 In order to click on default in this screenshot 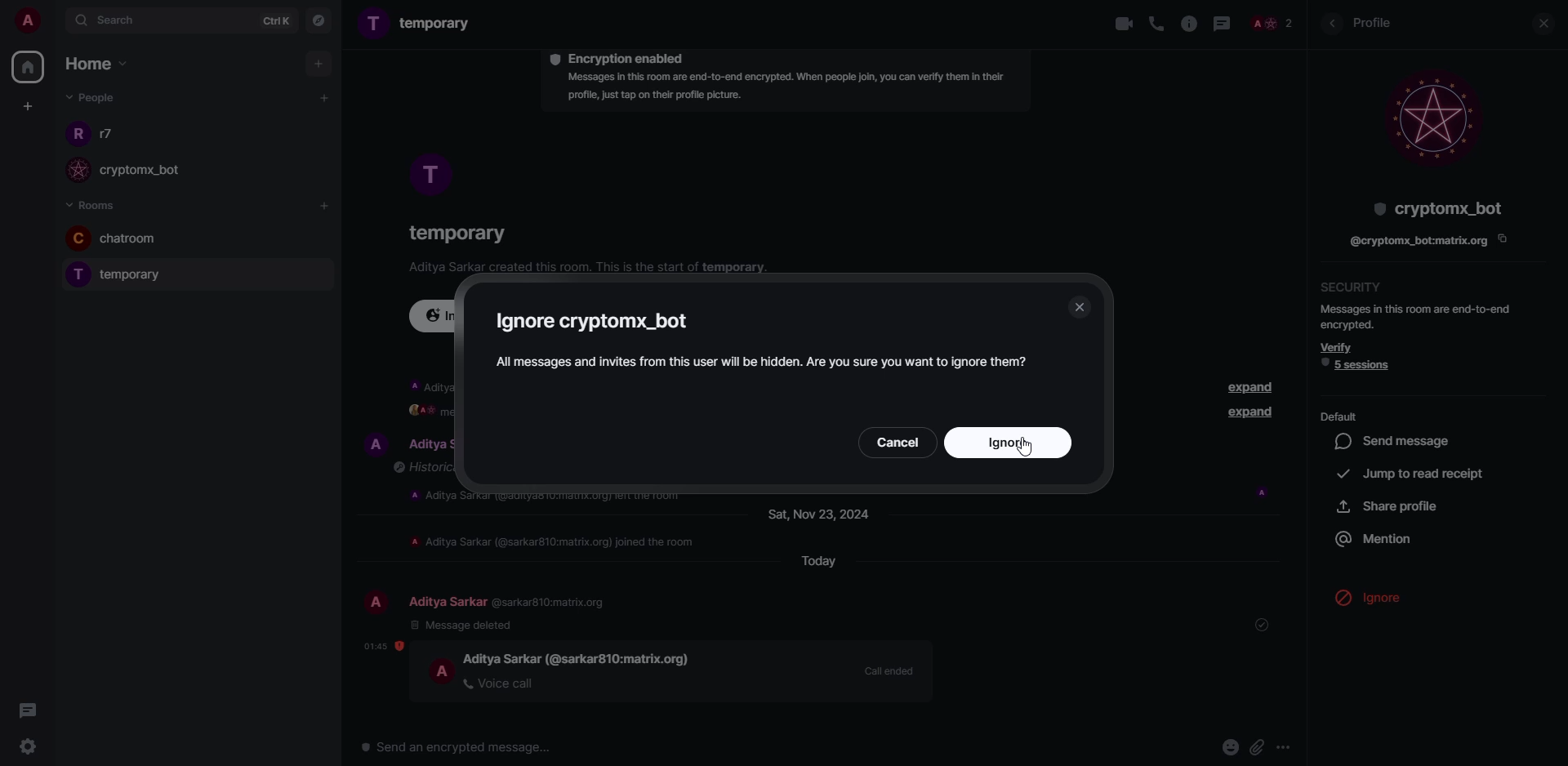, I will do `click(1340, 416)`.